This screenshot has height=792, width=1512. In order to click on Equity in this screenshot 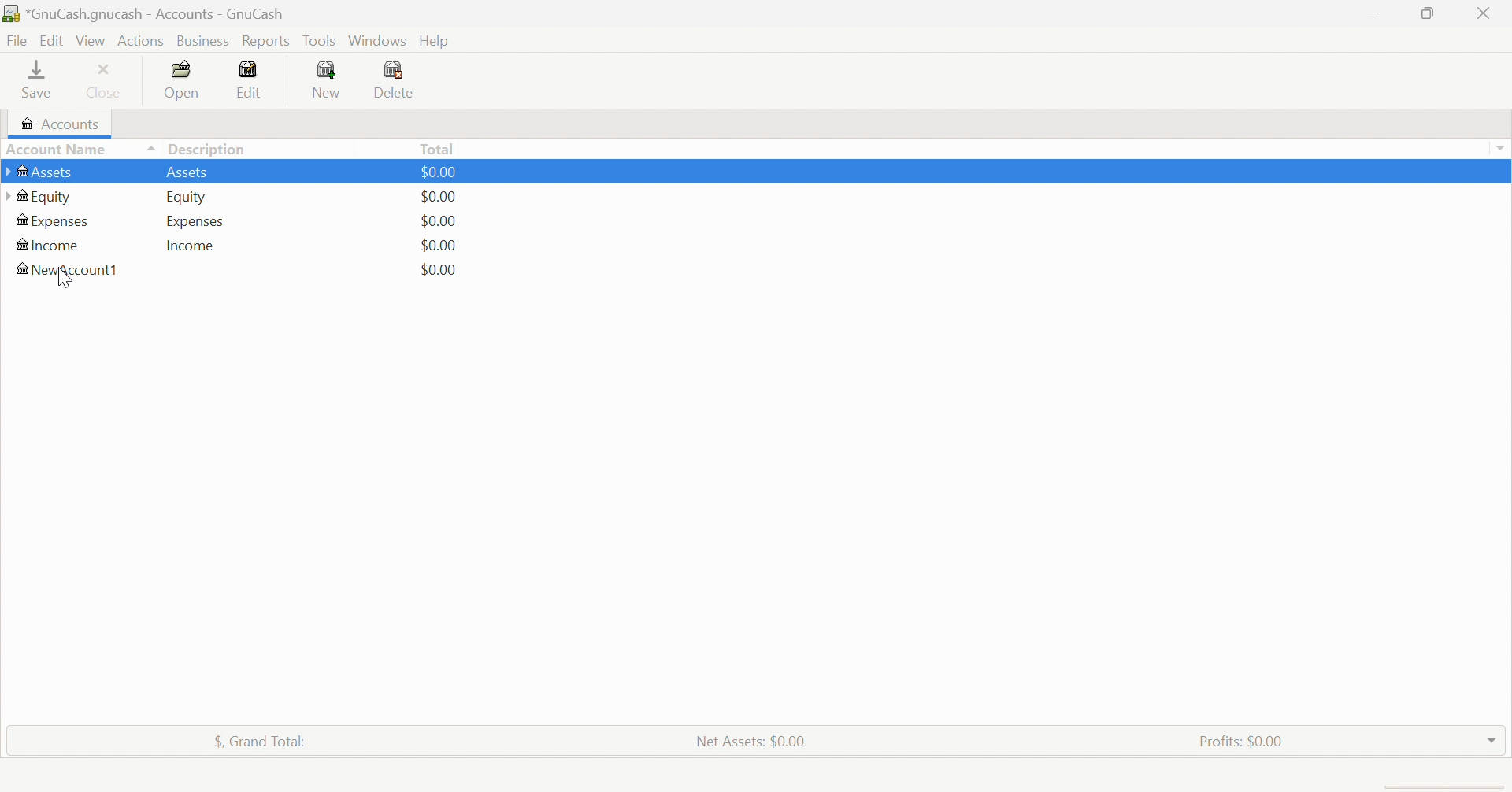, I will do `click(187, 198)`.